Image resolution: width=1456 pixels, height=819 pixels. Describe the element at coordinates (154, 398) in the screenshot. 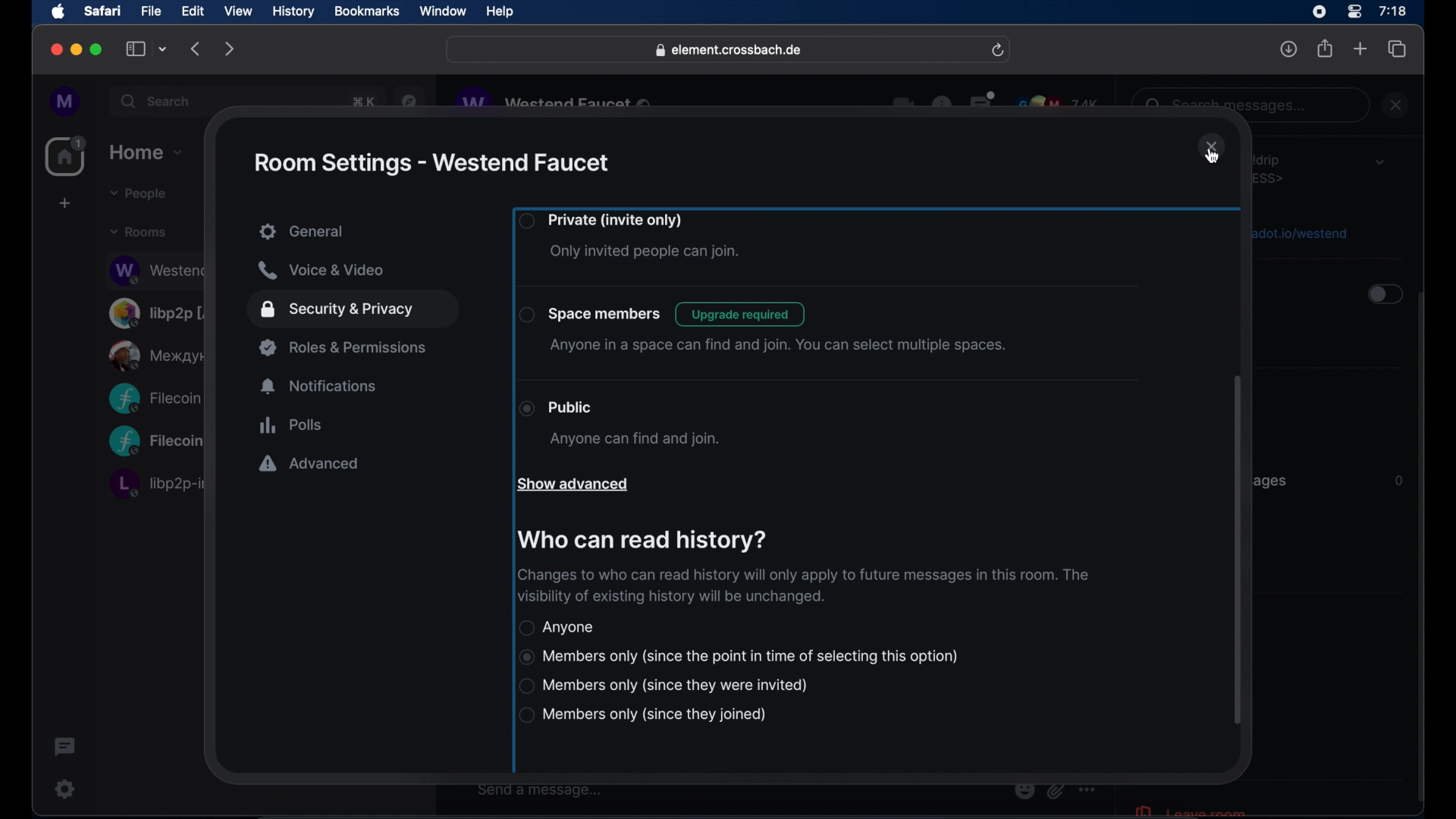

I see `obscure` at that location.